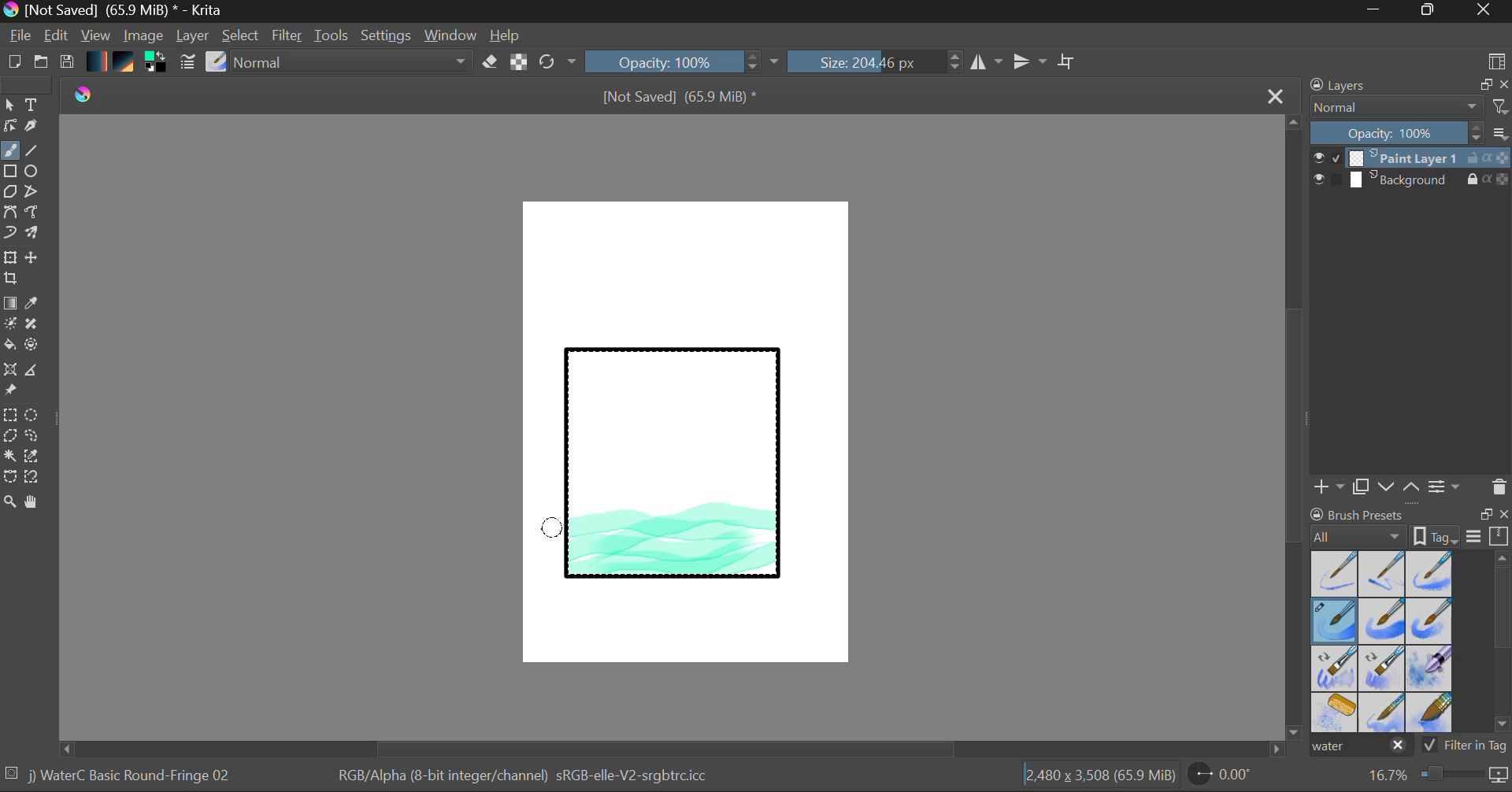  Describe the element at coordinates (332, 36) in the screenshot. I see `Tools` at that location.